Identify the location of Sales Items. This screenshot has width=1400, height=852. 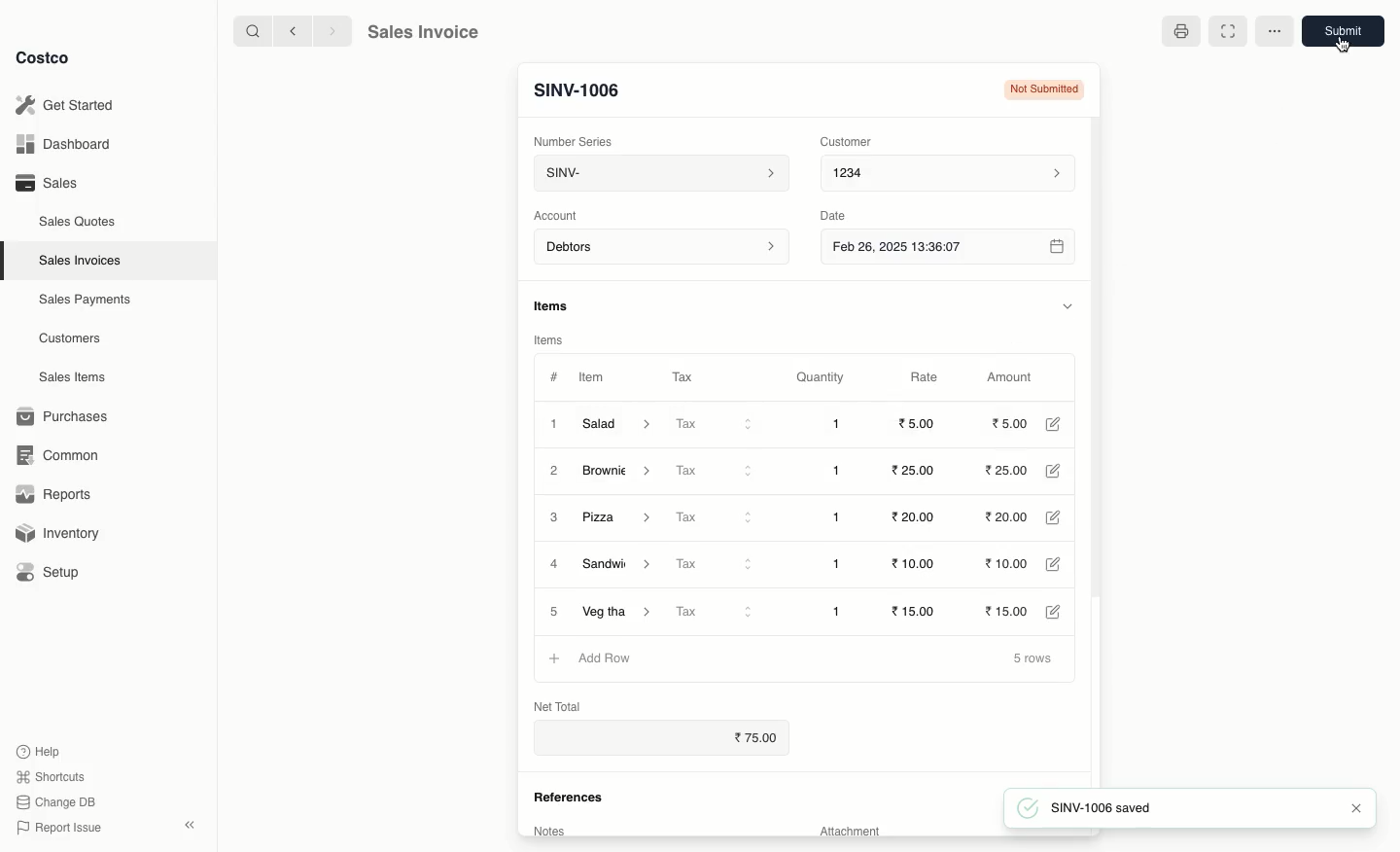
(77, 377).